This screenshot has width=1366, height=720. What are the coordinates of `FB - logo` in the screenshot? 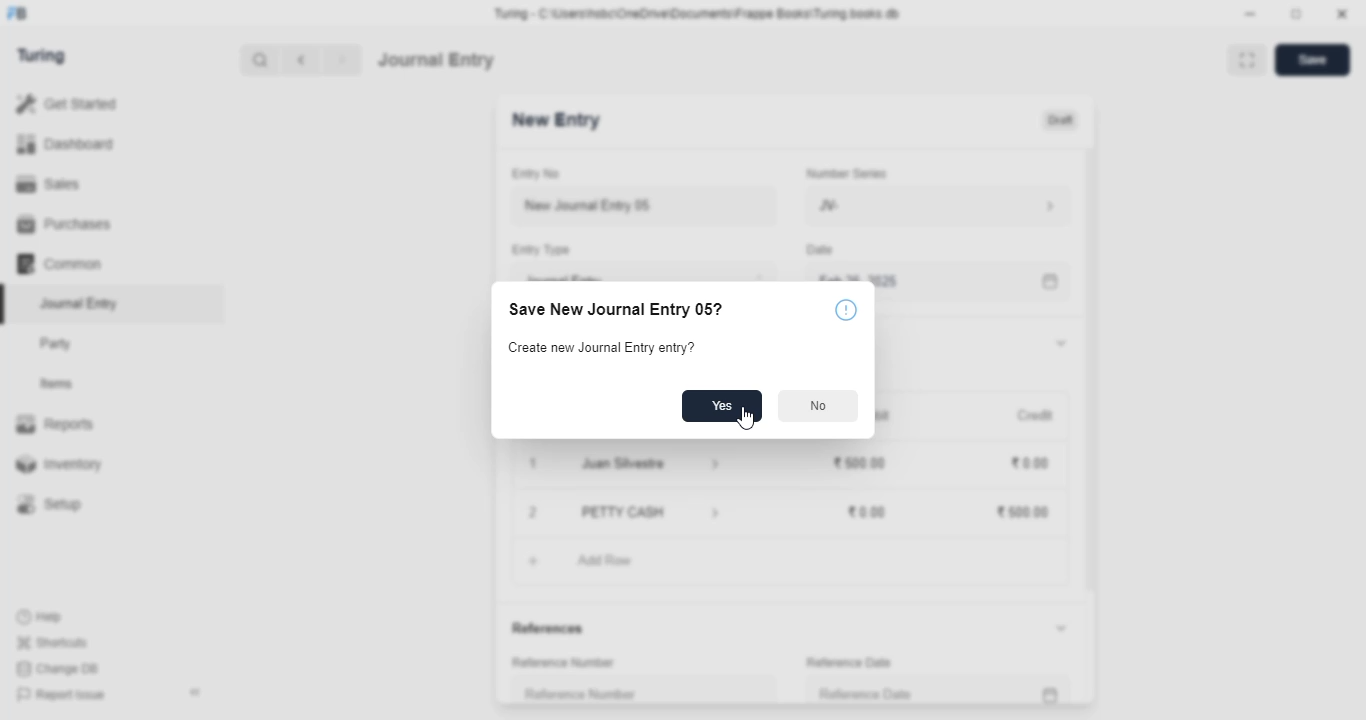 It's located at (17, 13).